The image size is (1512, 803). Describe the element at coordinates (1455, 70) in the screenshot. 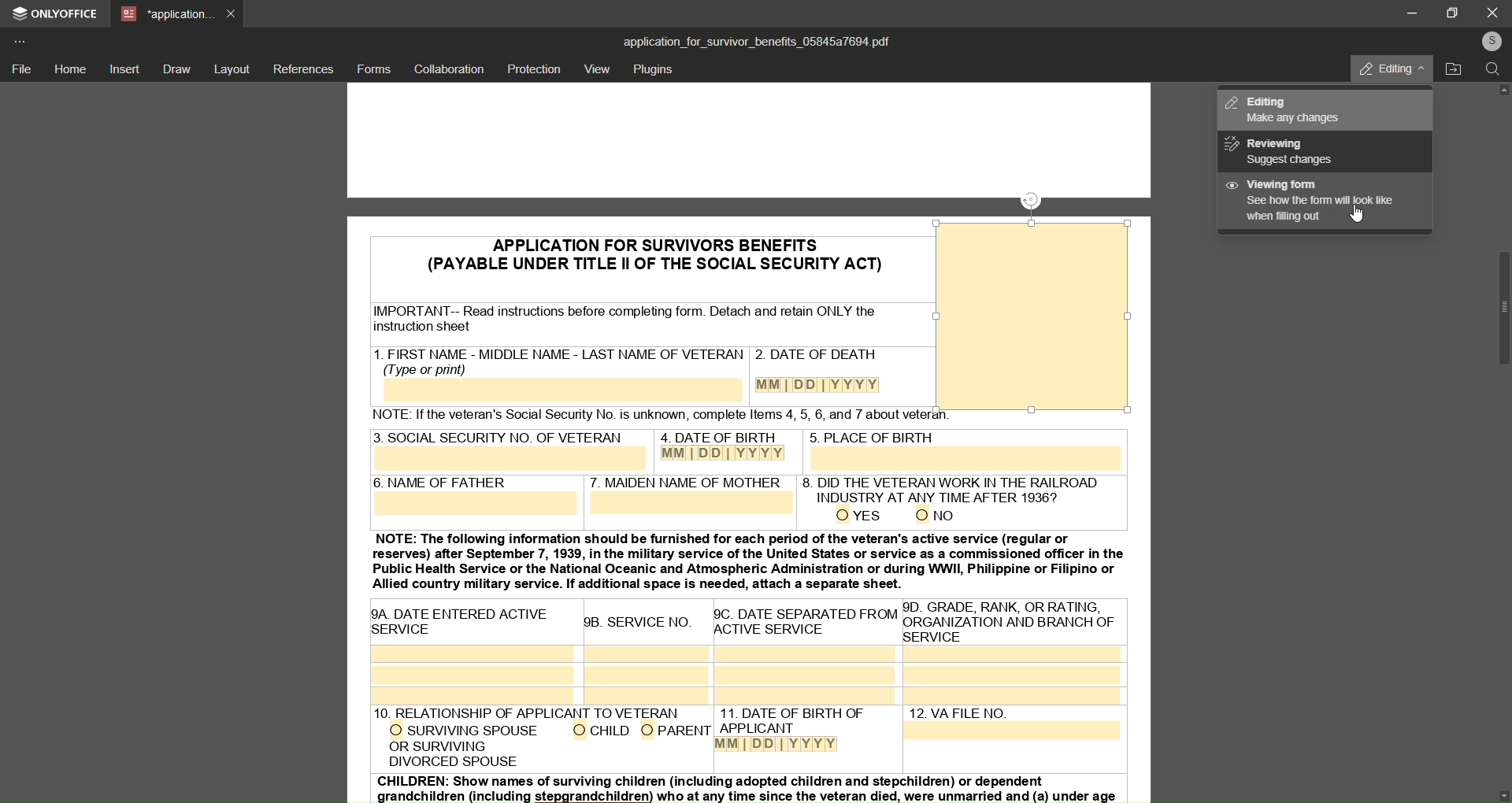

I see `open file` at that location.